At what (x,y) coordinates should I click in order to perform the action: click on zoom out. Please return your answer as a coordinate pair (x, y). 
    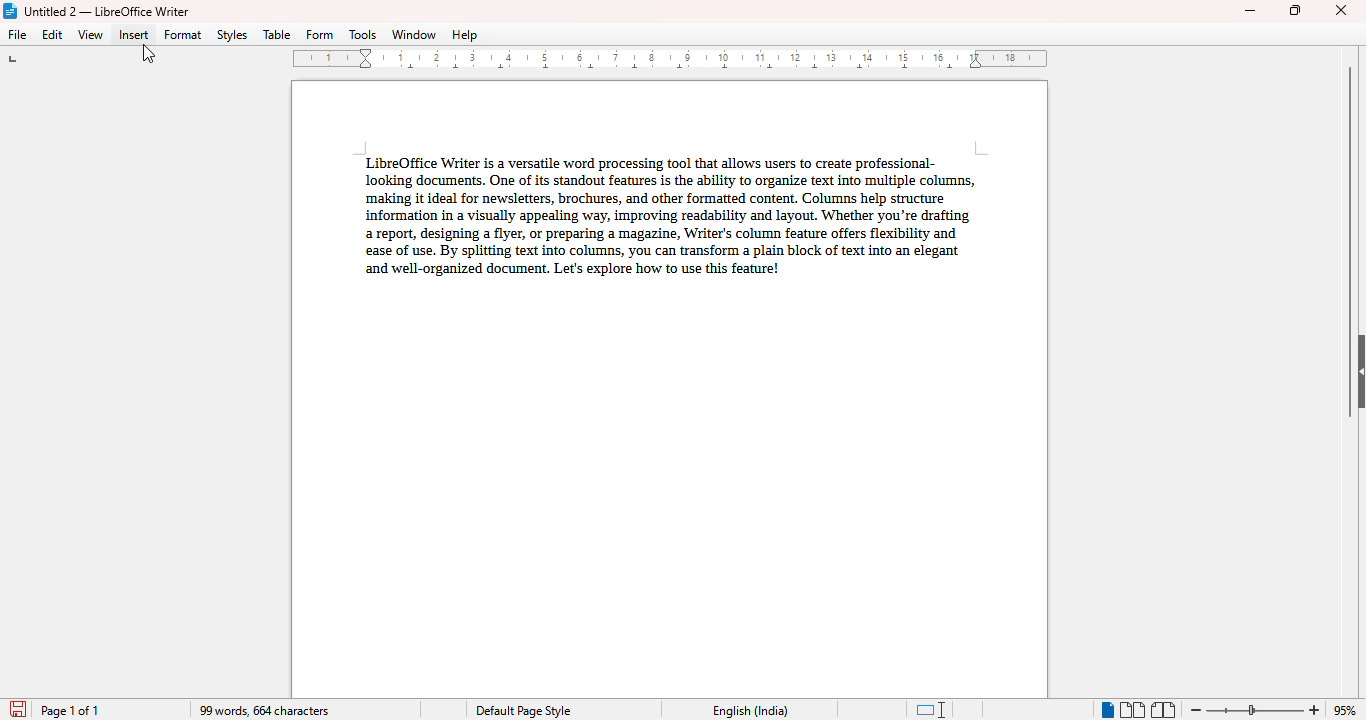
    Looking at the image, I should click on (1197, 710).